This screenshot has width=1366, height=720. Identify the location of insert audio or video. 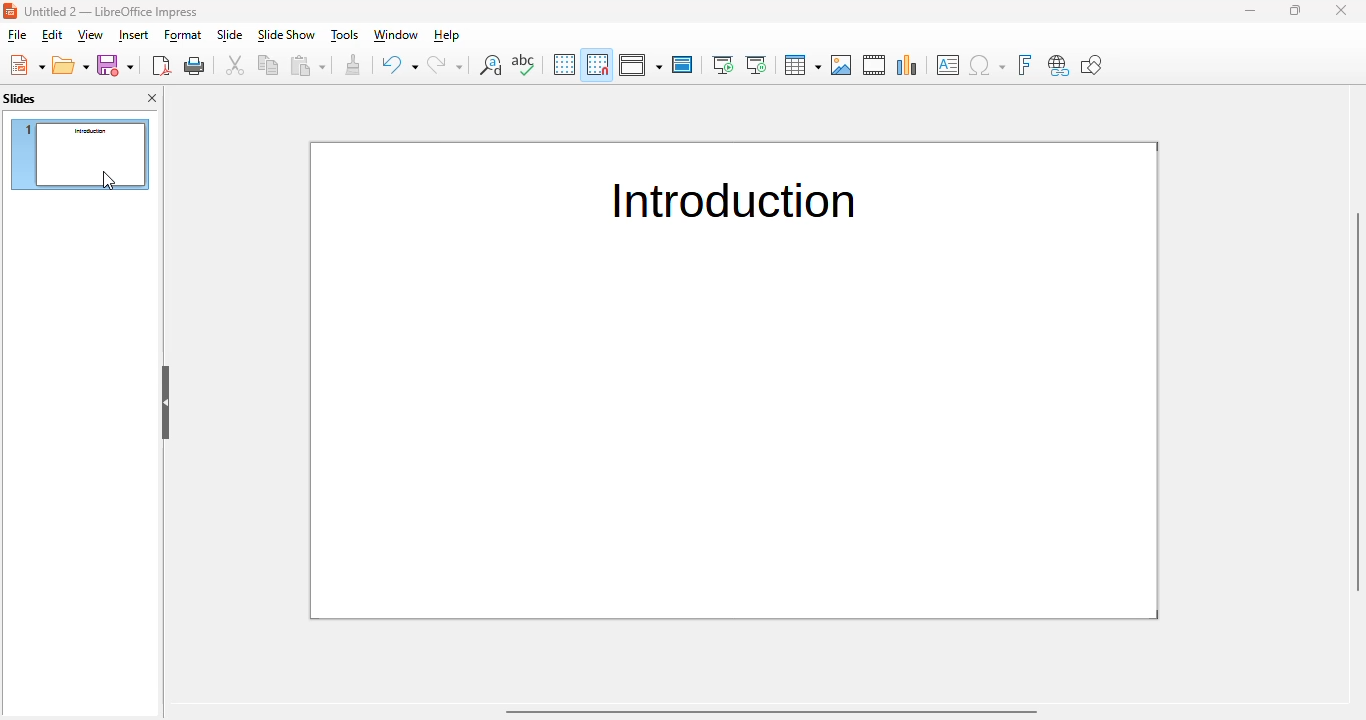
(875, 65).